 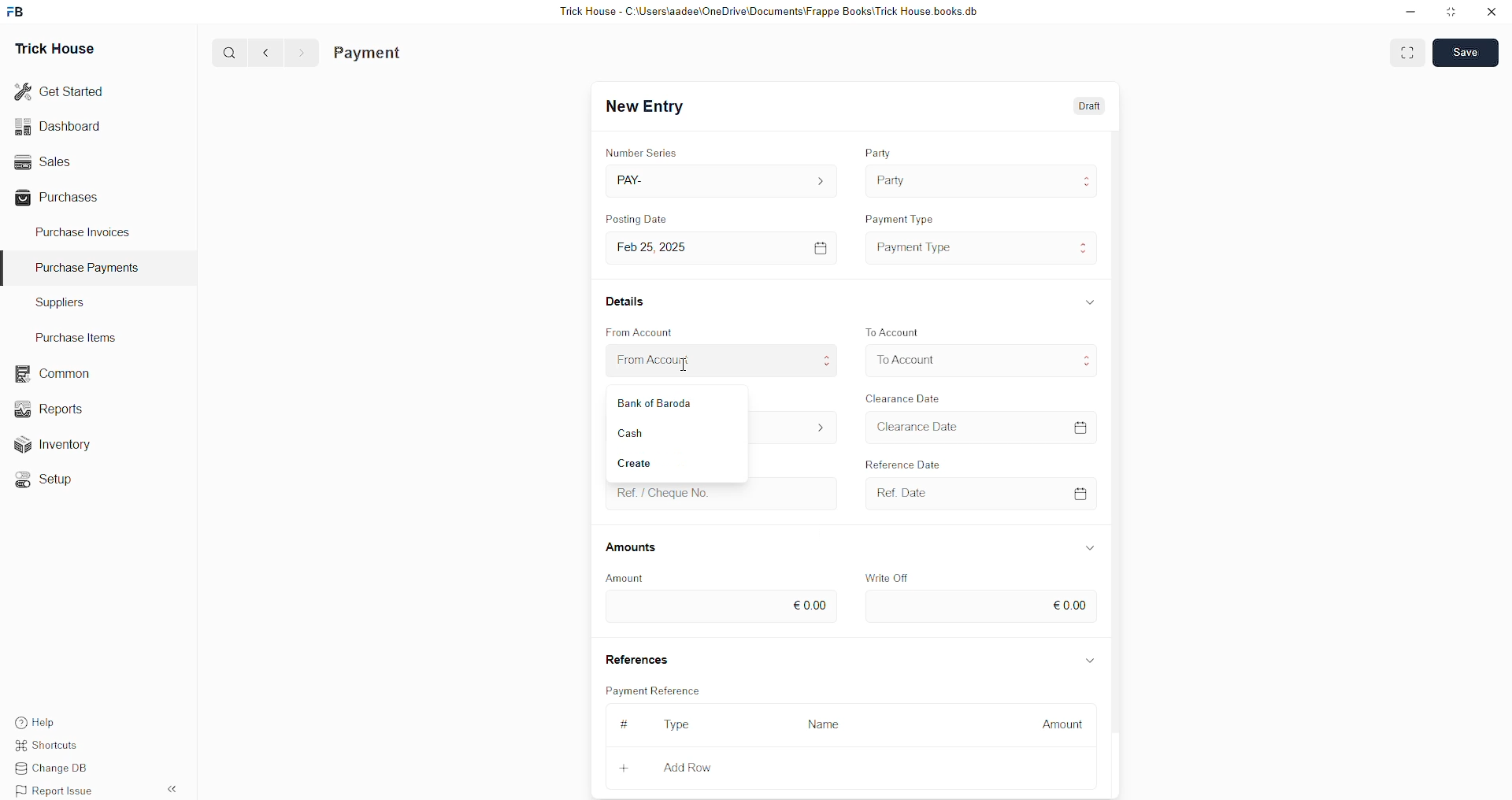 I want to click on PAY-, so click(x=635, y=179).